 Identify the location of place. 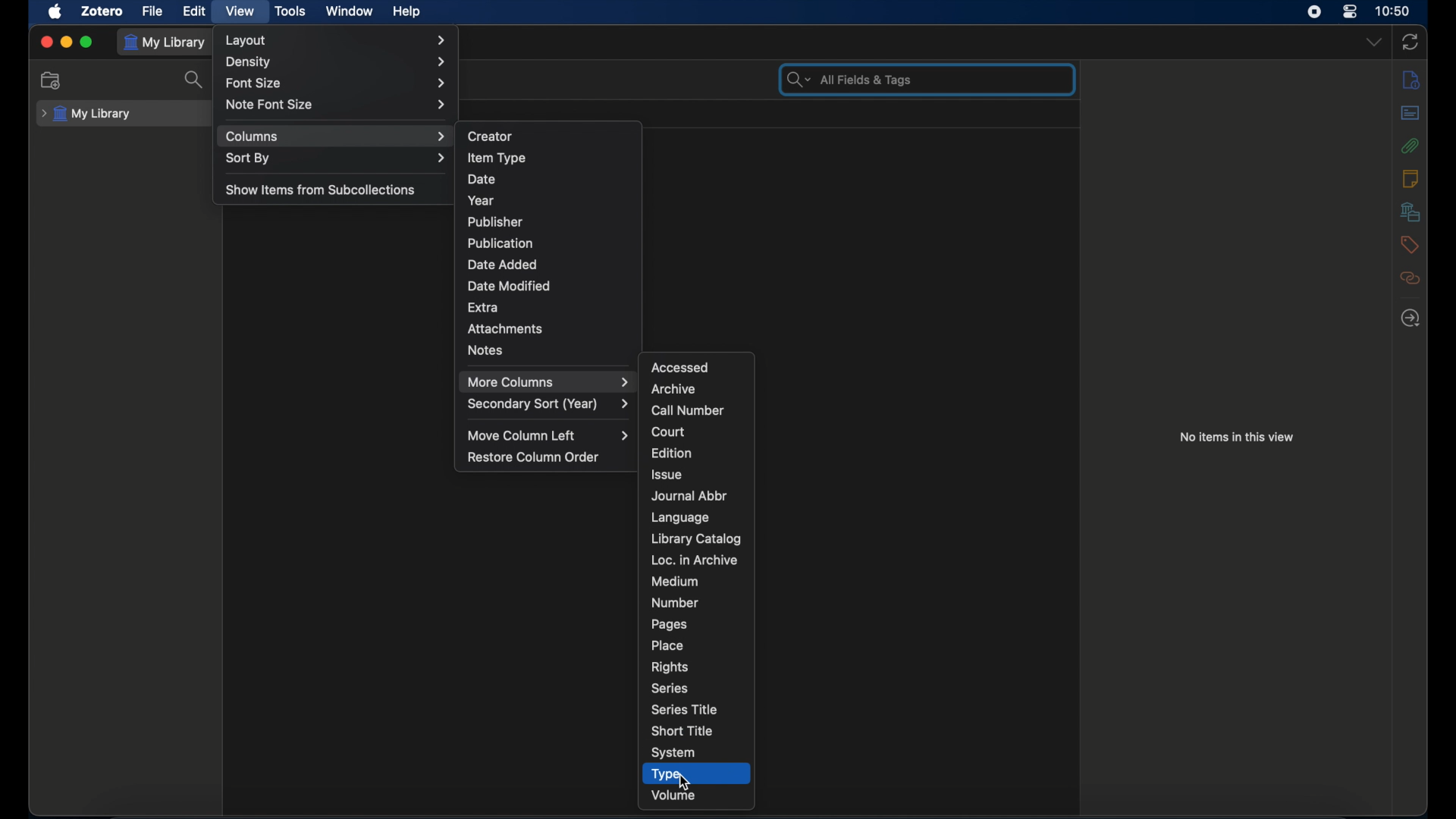
(669, 645).